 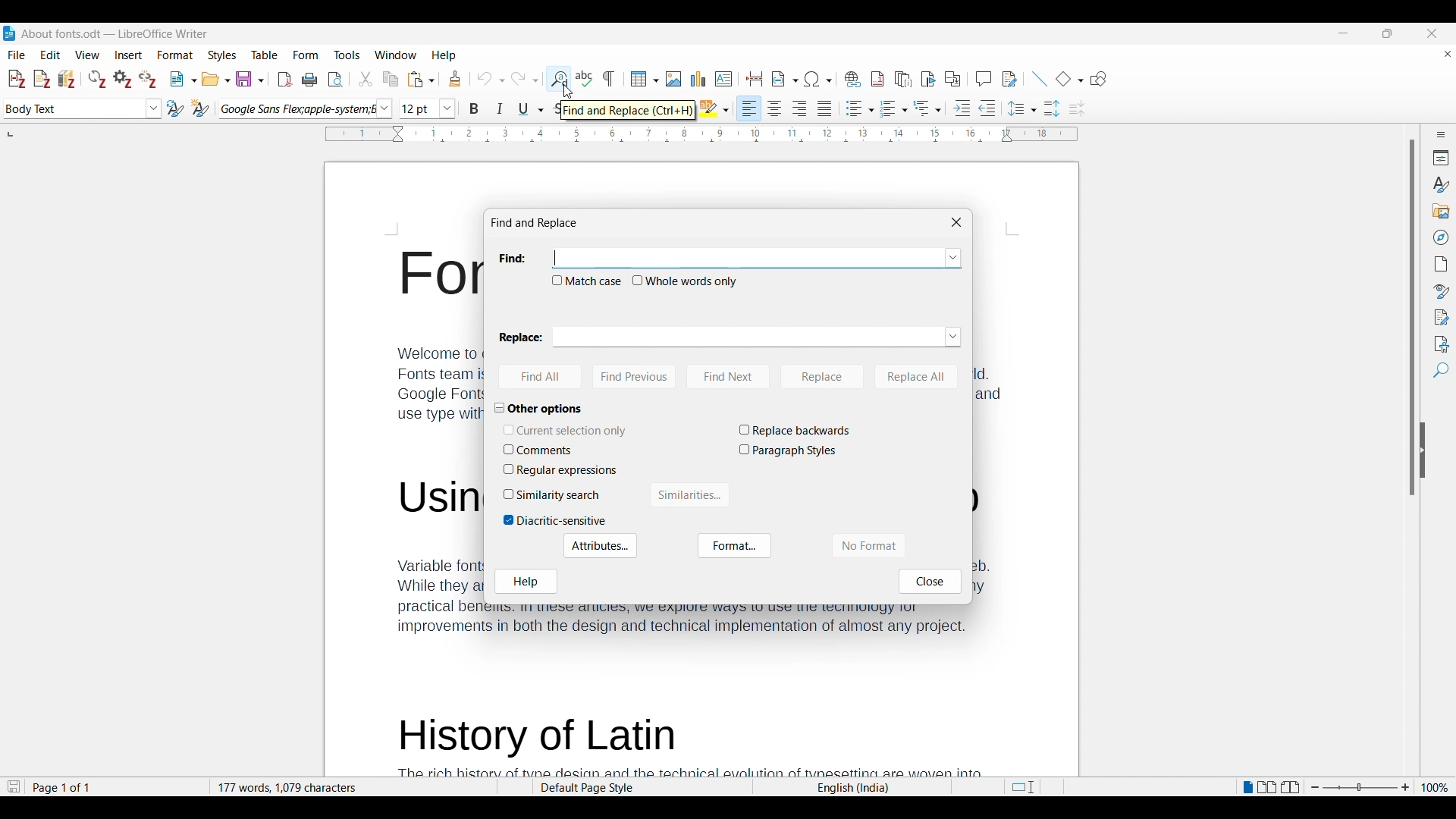 What do you see at coordinates (17, 80) in the screenshot?
I see `Add/Edit citations` at bounding box center [17, 80].